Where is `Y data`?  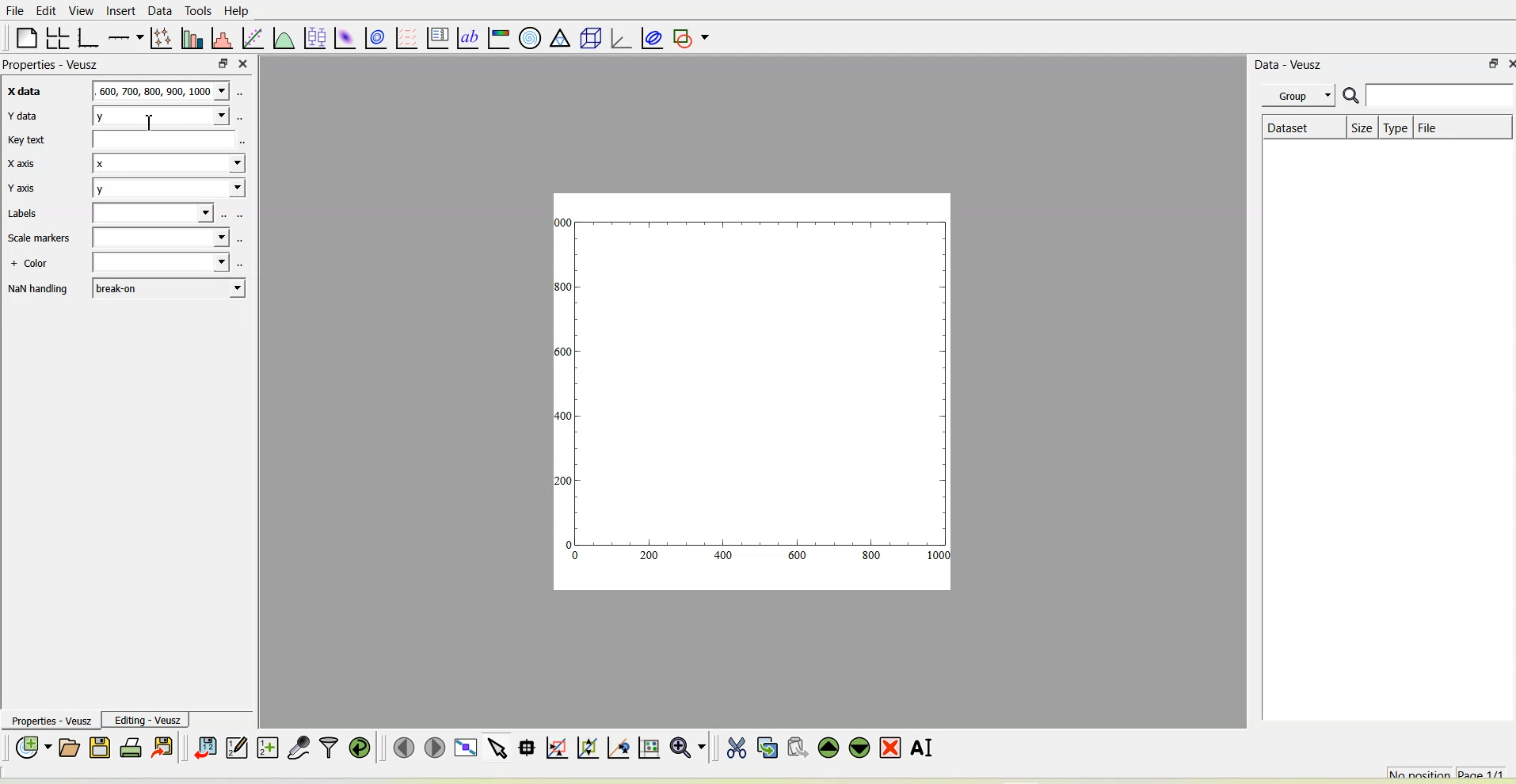
Y data is located at coordinates (27, 118).